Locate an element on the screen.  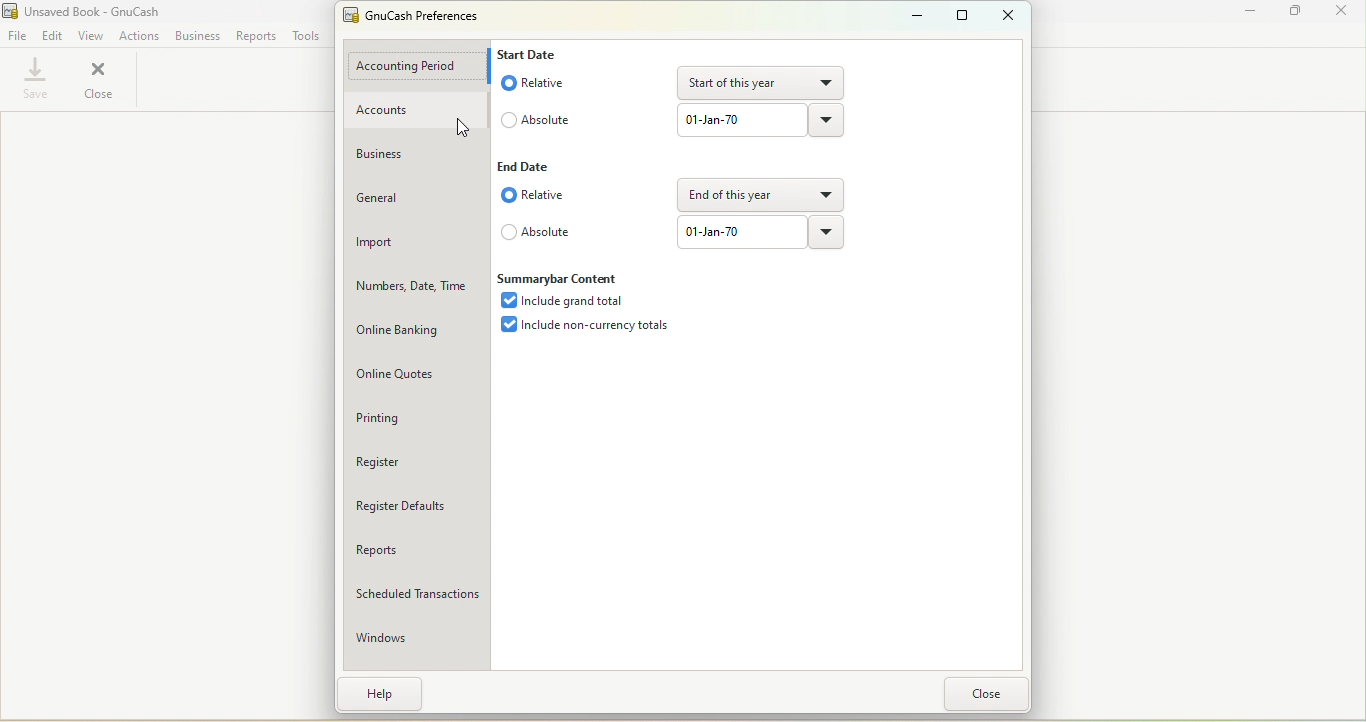
Relative is located at coordinates (537, 198).